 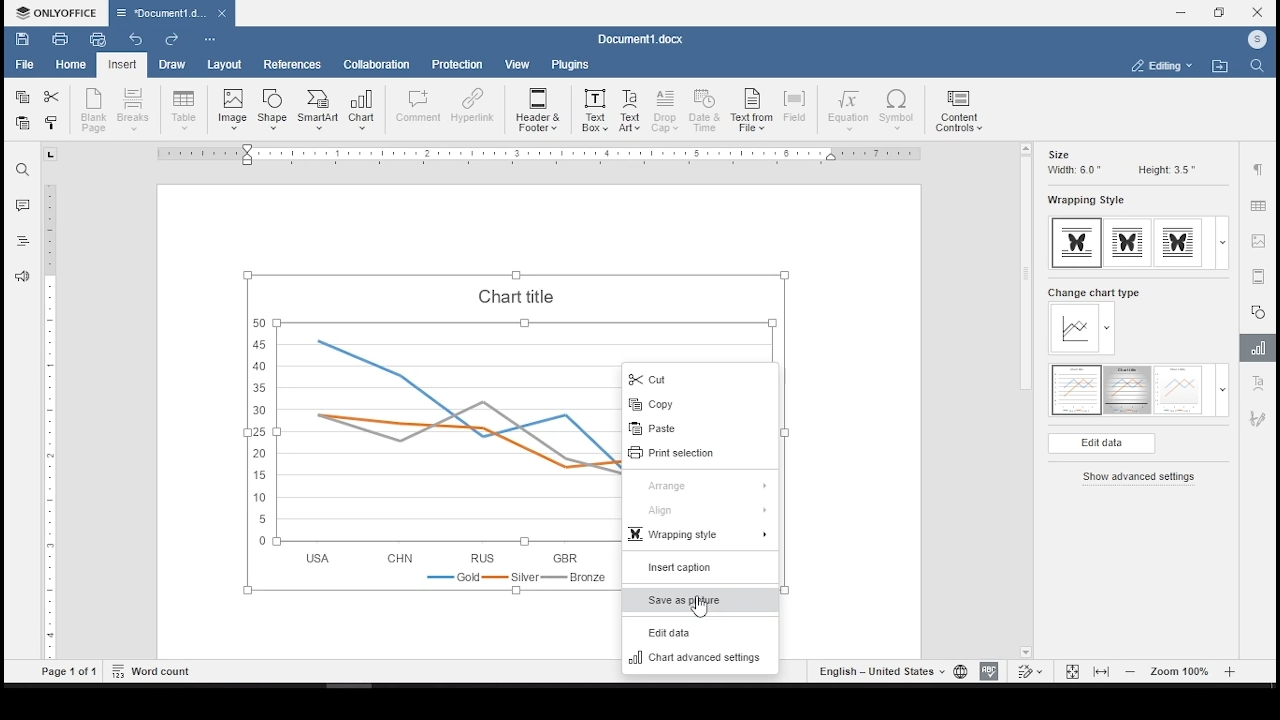 I want to click on cursor, so click(x=699, y=604).